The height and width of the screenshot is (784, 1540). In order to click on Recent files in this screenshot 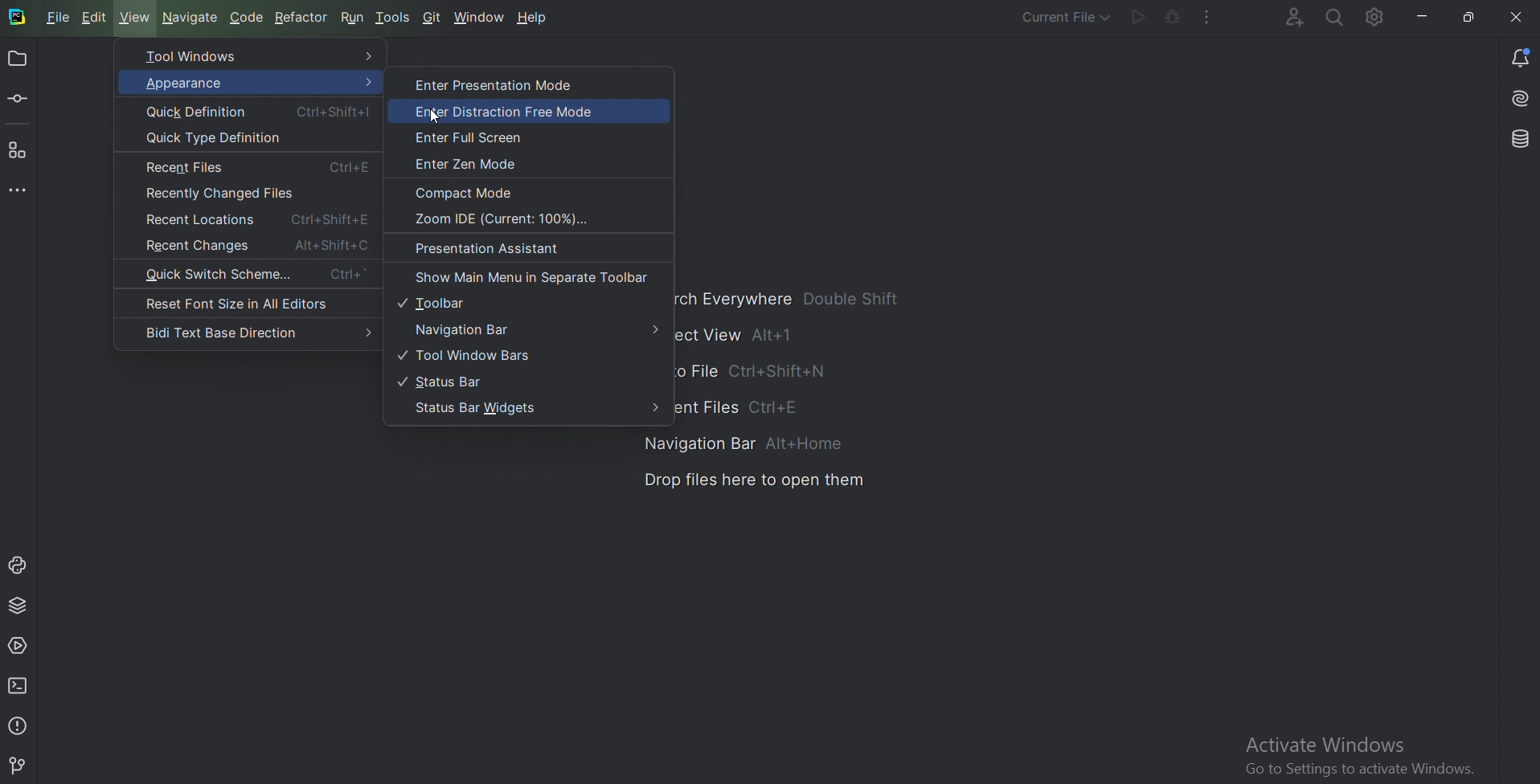, I will do `click(259, 167)`.